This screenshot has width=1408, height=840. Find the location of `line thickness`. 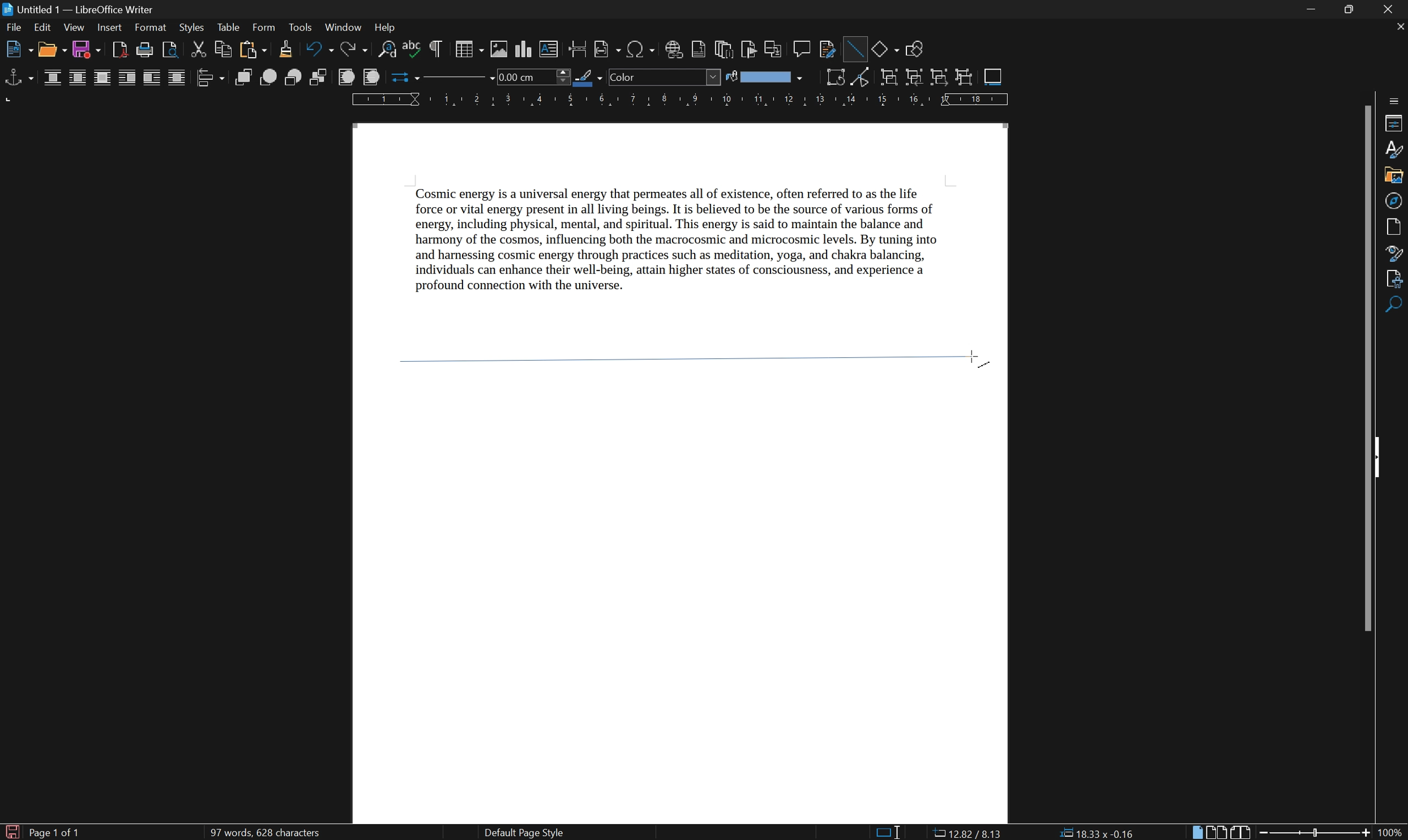

line thickness is located at coordinates (532, 76).